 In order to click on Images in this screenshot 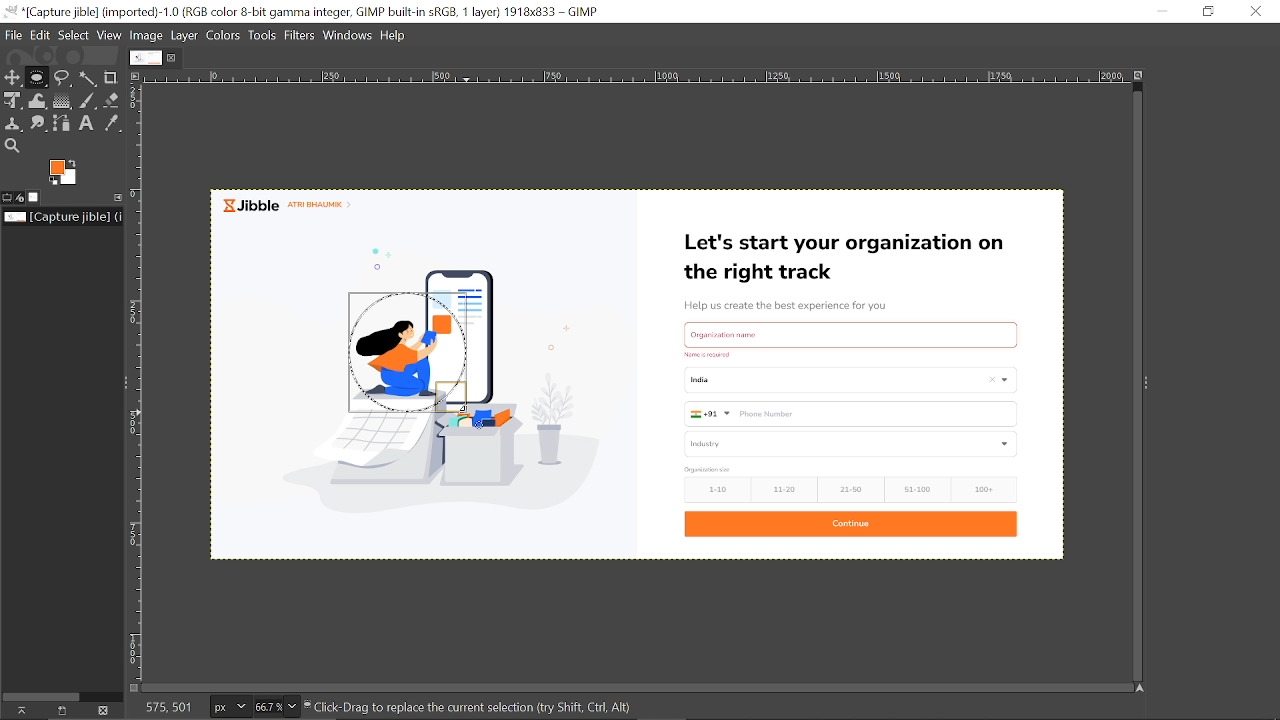, I will do `click(36, 197)`.